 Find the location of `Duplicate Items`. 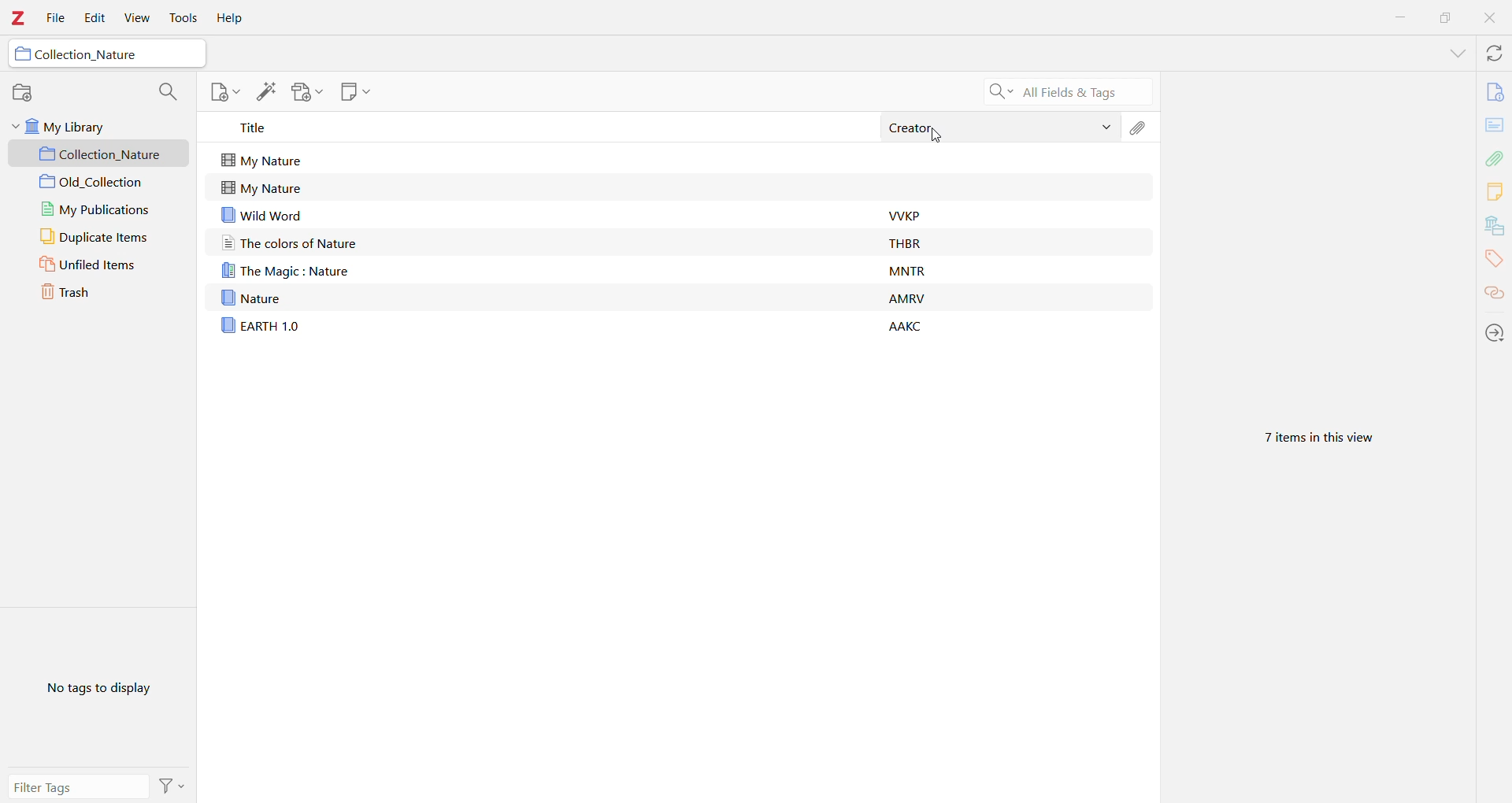

Duplicate Items is located at coordinates (105, 235).